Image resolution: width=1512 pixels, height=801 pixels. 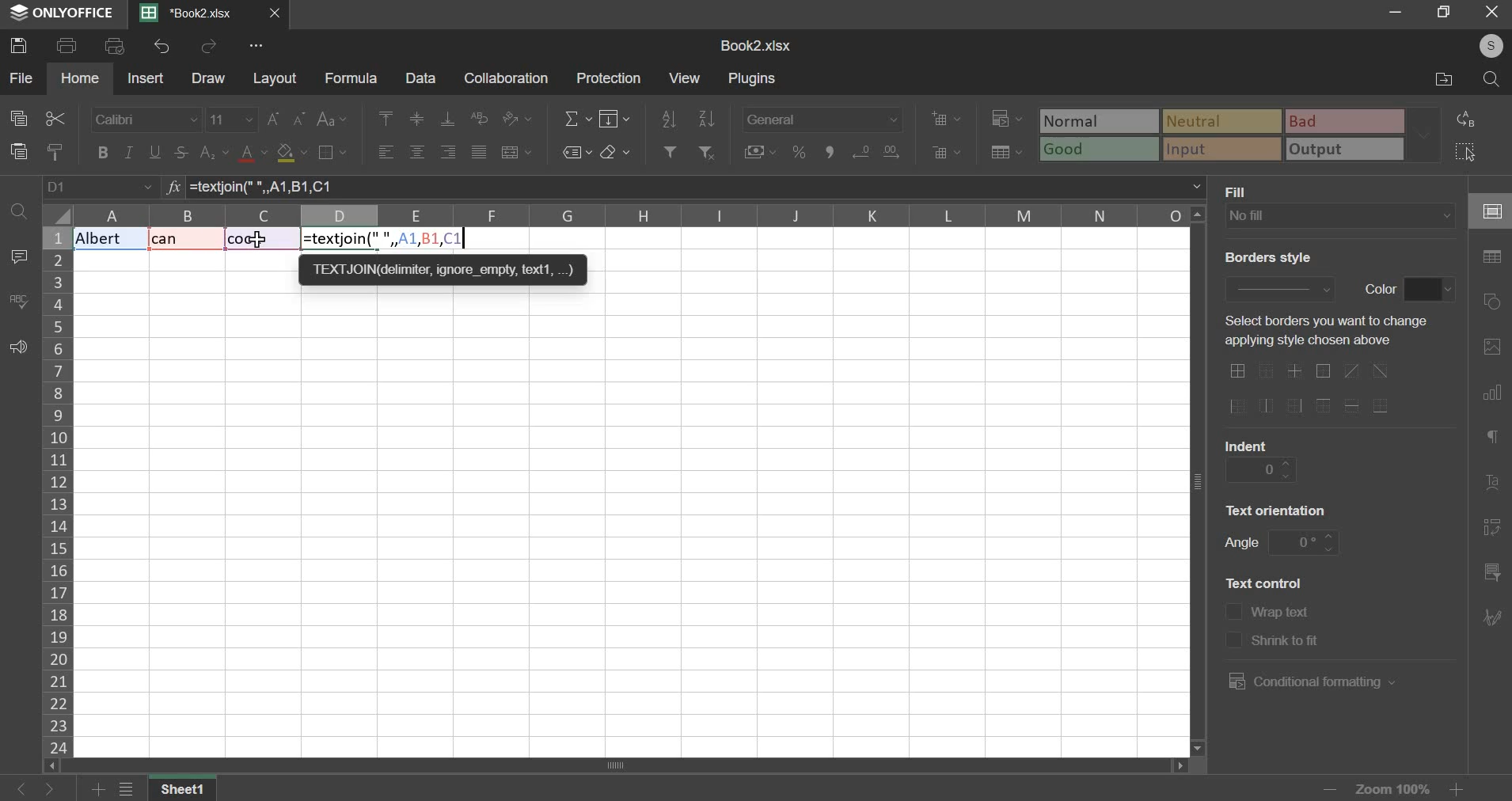 What do you see at coordinates (1005, 120) in the screenshot?
I see `conditional formatting` at bounding box center [1005, 120].